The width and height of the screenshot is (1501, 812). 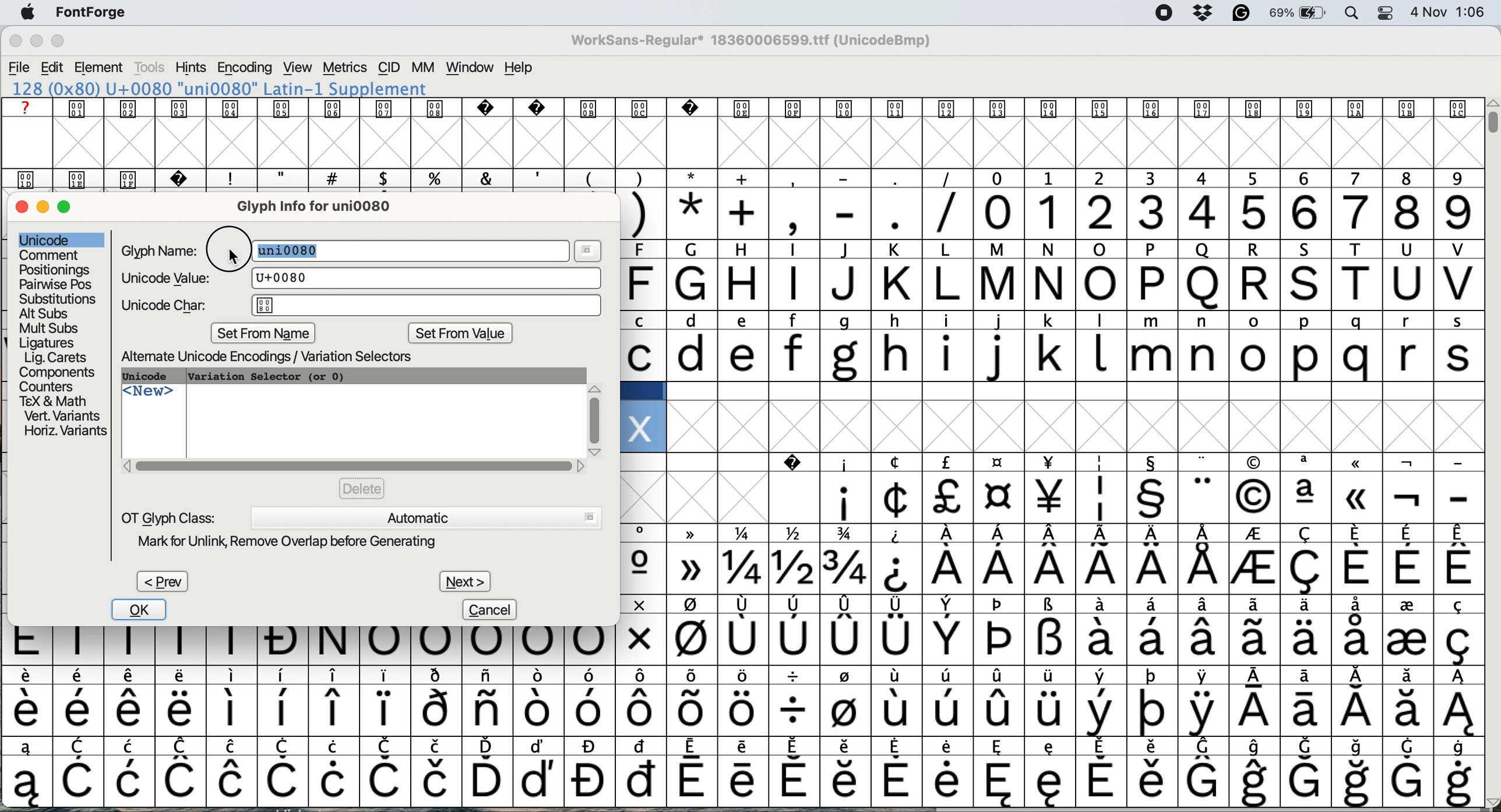 What do you see at coordinates (1051, 463) in the screenshot?
I see `SPECIAL CHARACTERS` at bounding box center [1051, 463].